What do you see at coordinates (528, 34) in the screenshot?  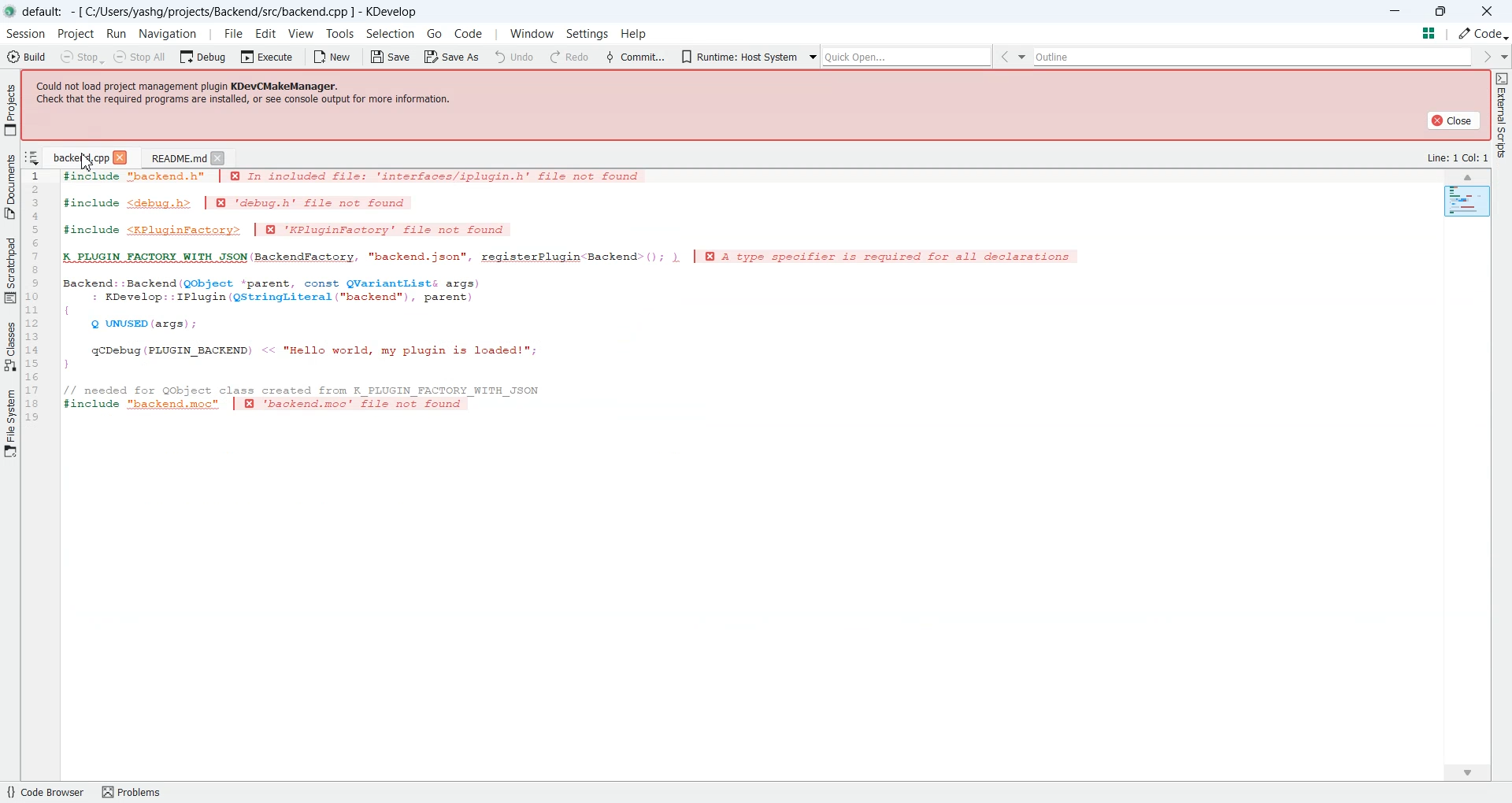 I see `Window` at bounding box center [528, 34].